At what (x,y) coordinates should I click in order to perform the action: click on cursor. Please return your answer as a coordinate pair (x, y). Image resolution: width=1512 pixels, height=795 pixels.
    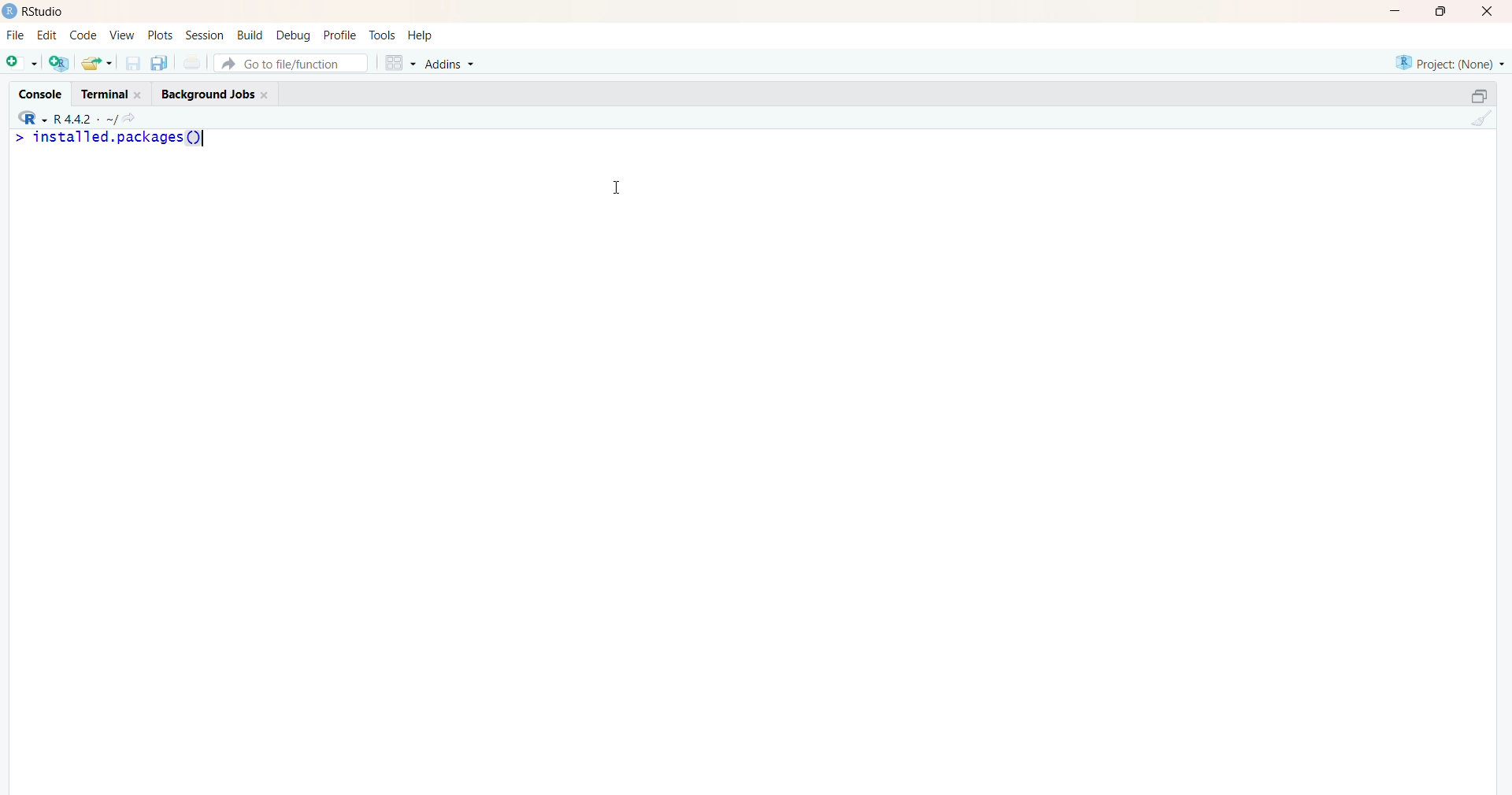
    Looking at the image, I should click on (617, 187).